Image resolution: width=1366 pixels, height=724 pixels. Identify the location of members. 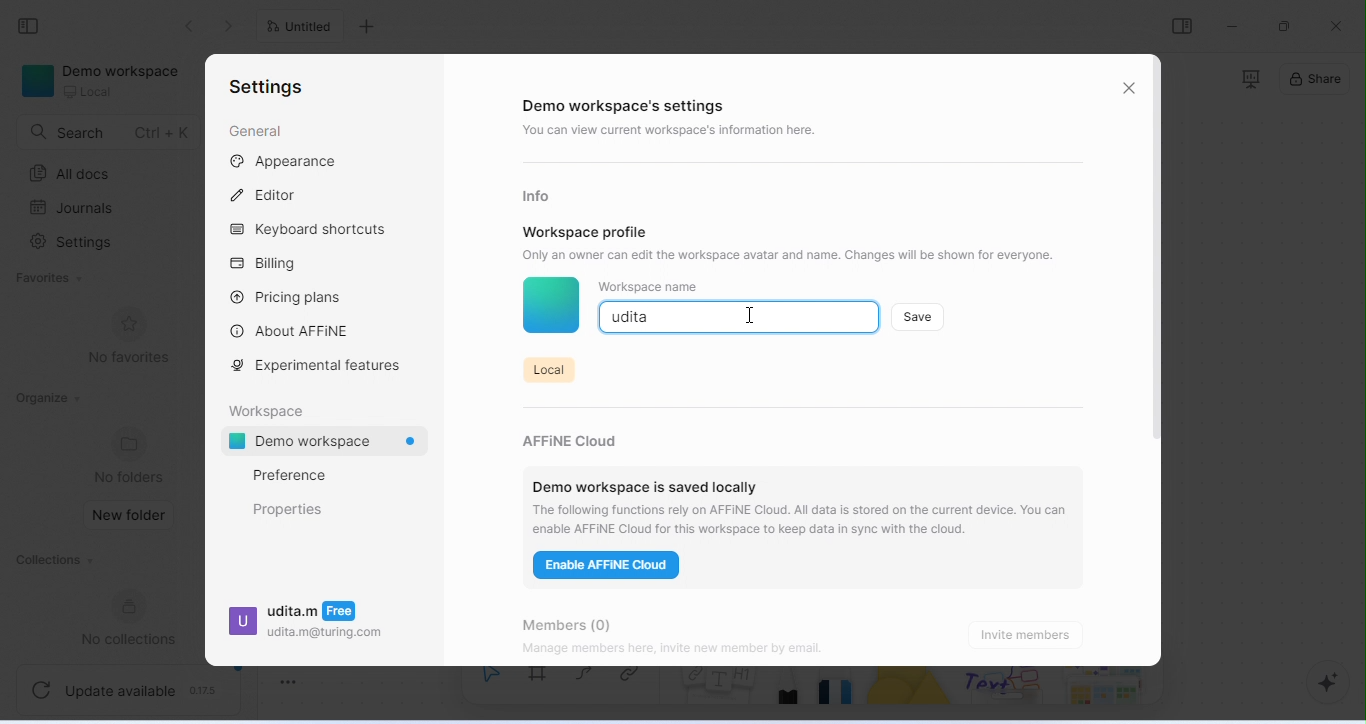
(581, 621).